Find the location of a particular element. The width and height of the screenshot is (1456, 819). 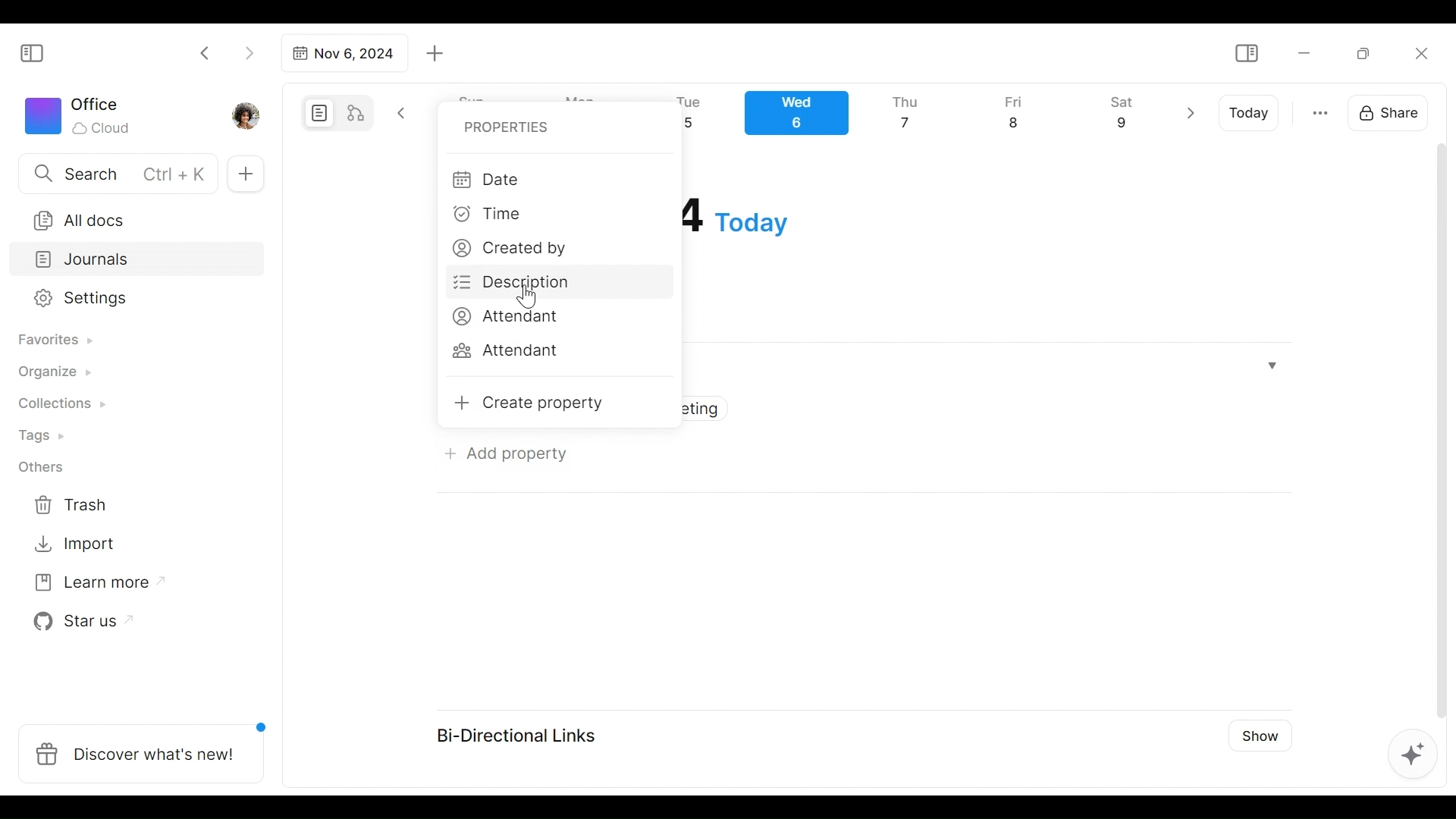

Others is located at coordinates (42, 467).